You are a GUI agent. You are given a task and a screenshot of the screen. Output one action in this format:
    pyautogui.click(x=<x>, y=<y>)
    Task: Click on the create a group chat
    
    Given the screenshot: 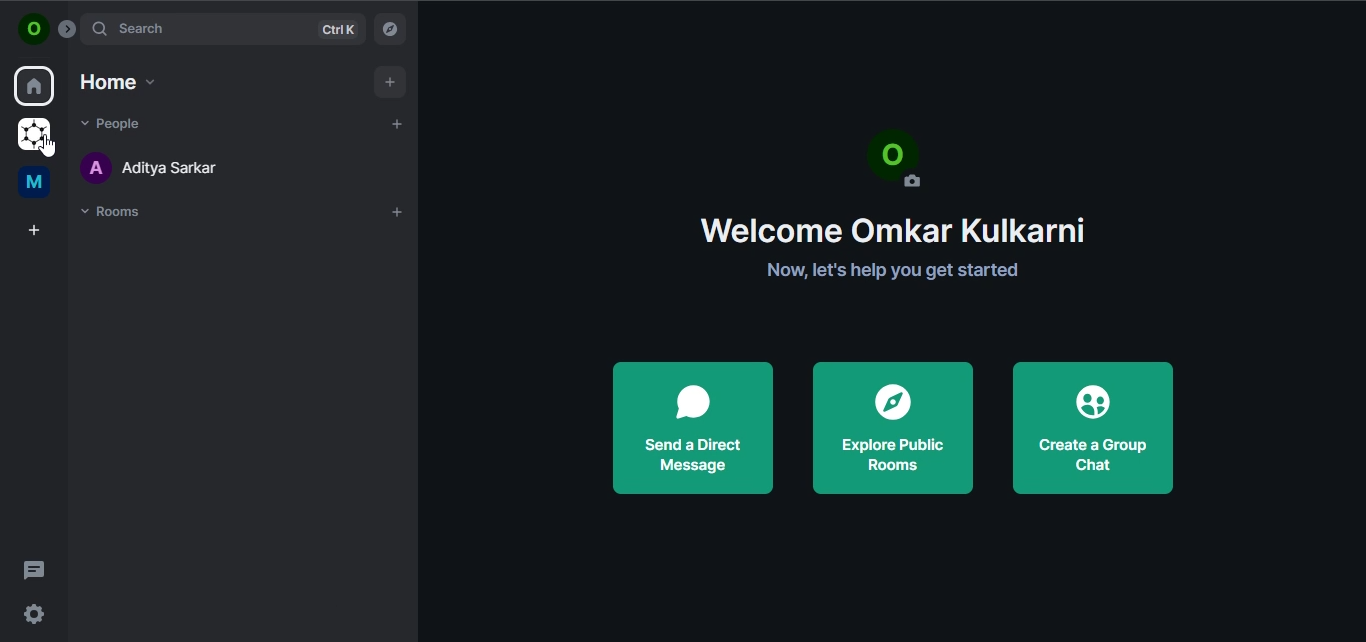 What is the action you would take?
    pyautogui.click(x=1094, y=429)
    